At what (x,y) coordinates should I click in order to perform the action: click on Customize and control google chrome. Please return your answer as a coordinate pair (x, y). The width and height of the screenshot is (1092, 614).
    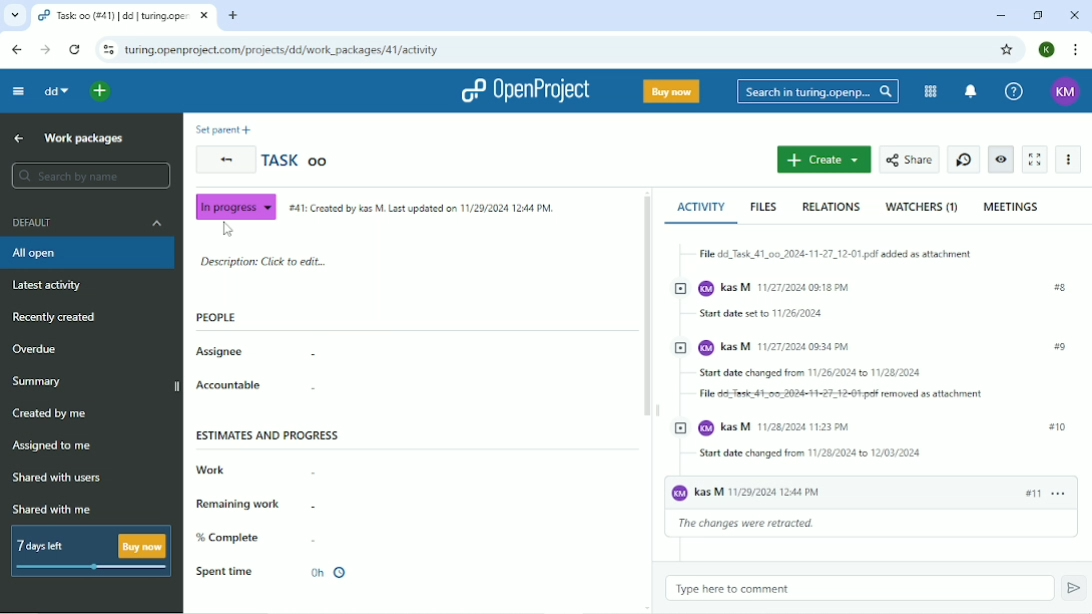
    Looking at the image, I should click on (1073, 50).